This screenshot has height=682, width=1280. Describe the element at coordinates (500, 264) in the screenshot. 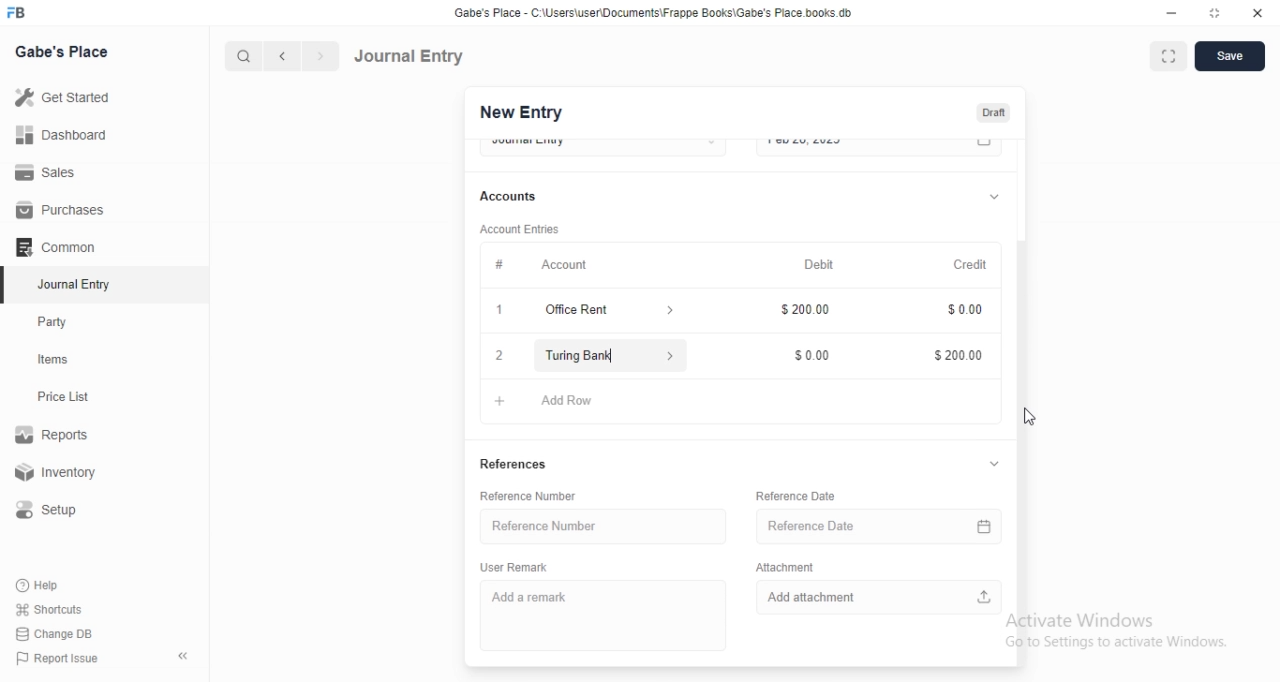

I see `` at that location.